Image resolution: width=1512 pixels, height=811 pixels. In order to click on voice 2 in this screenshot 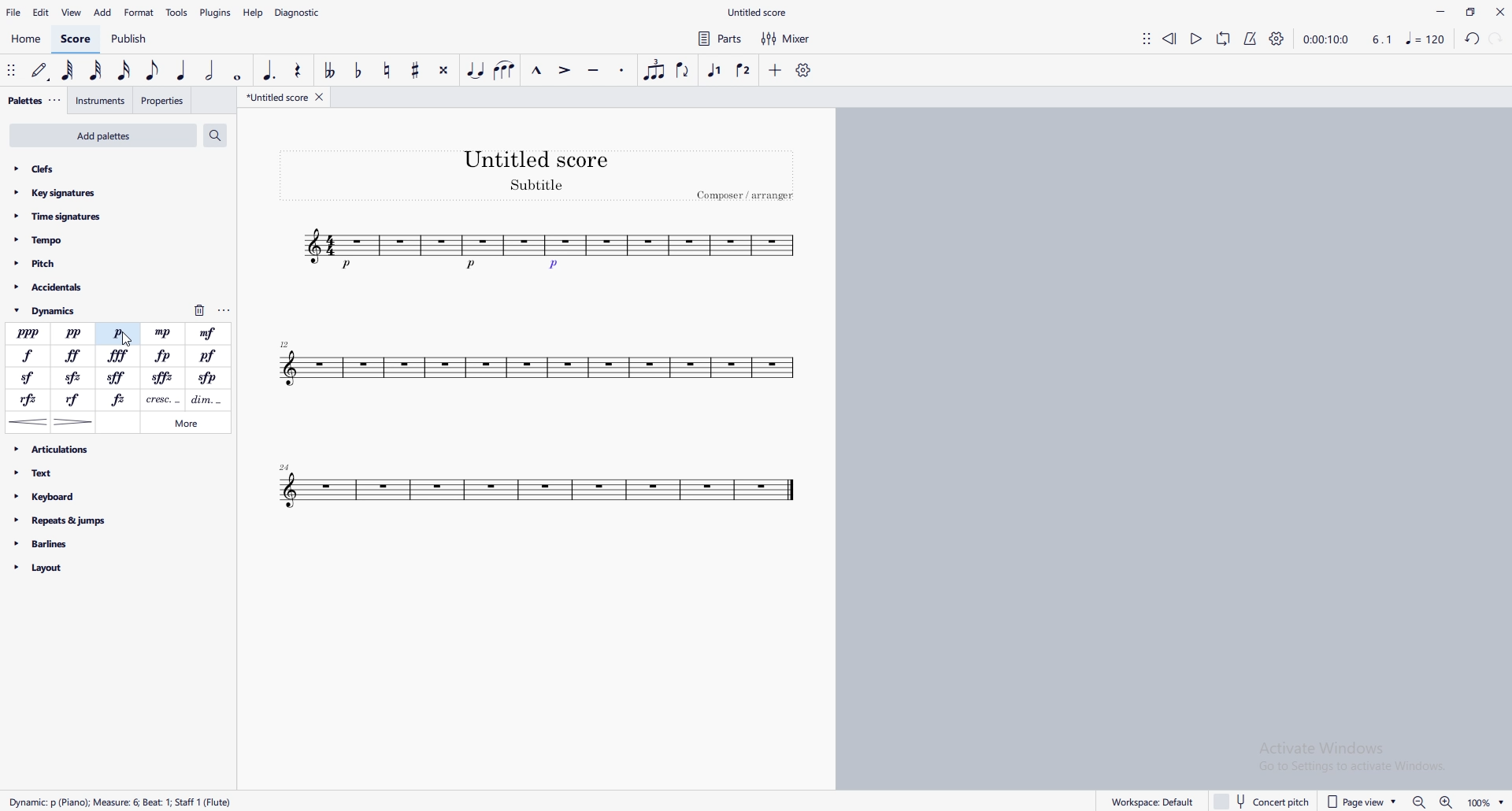, I will do `click(742, 71)`.